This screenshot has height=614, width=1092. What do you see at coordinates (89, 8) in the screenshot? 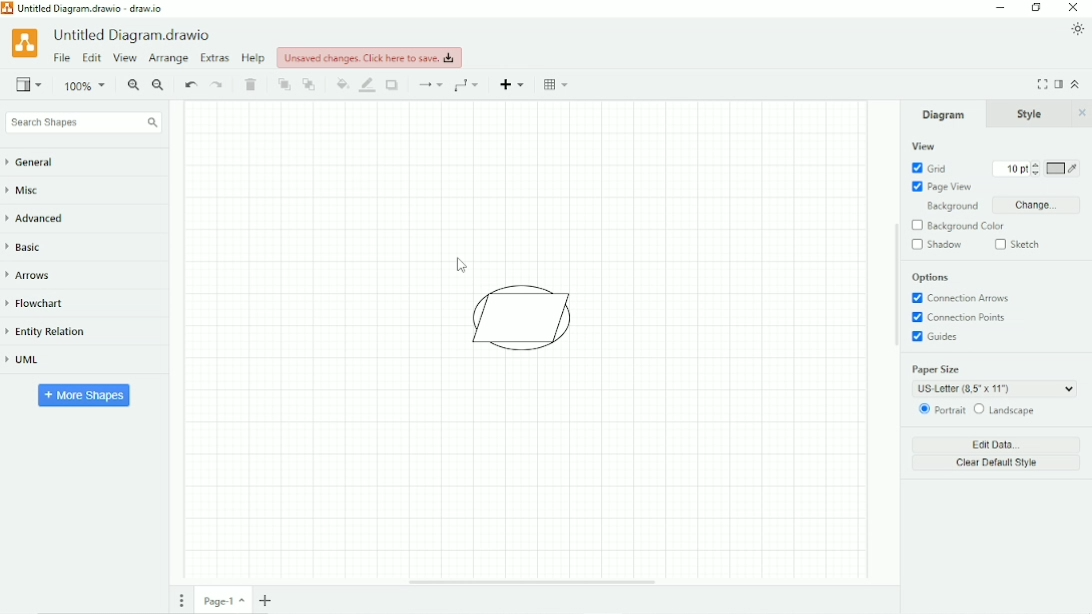
I see `Title ` at bounding box center [89, 8].